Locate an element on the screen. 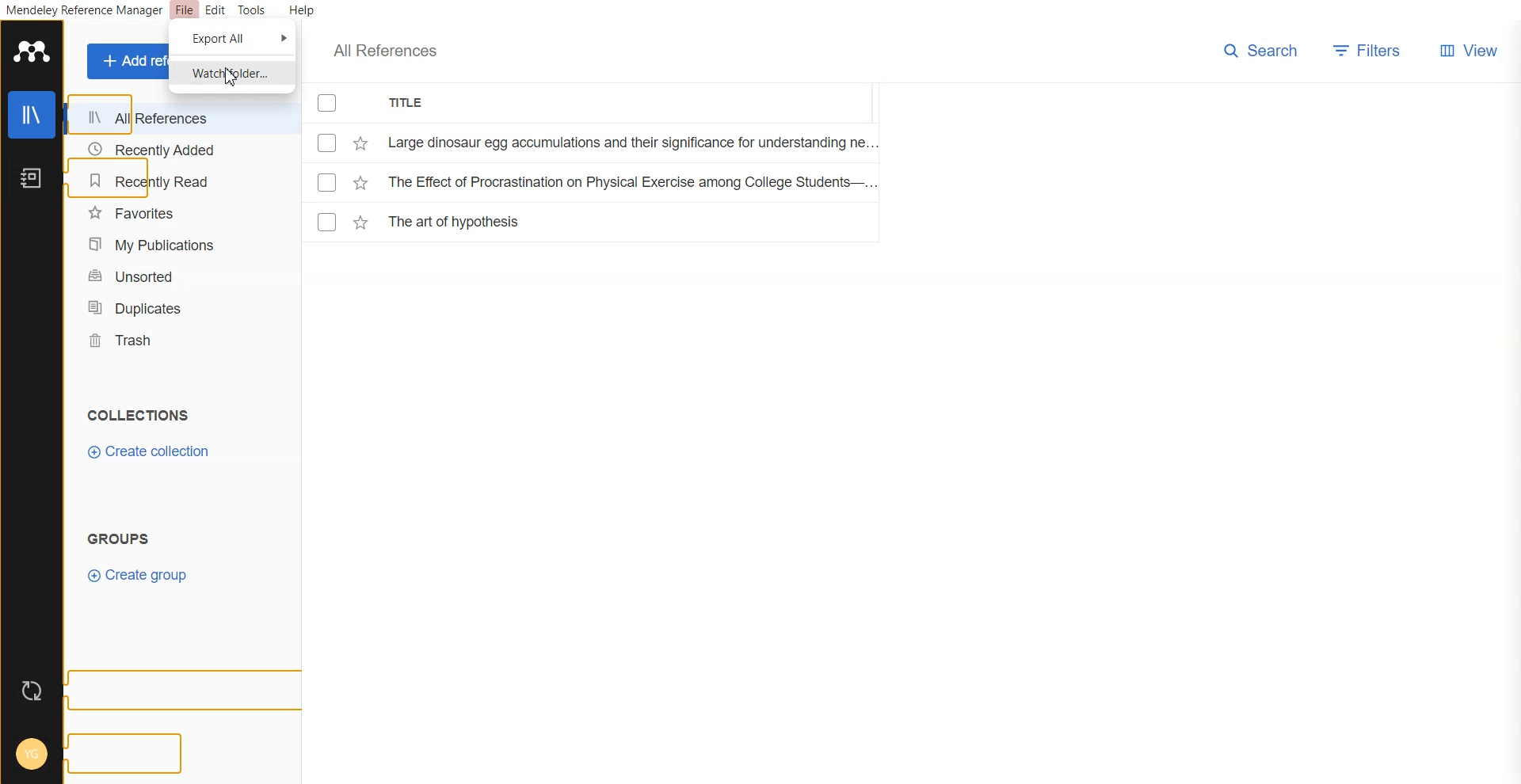  All References is located at coordinates (168, 120).